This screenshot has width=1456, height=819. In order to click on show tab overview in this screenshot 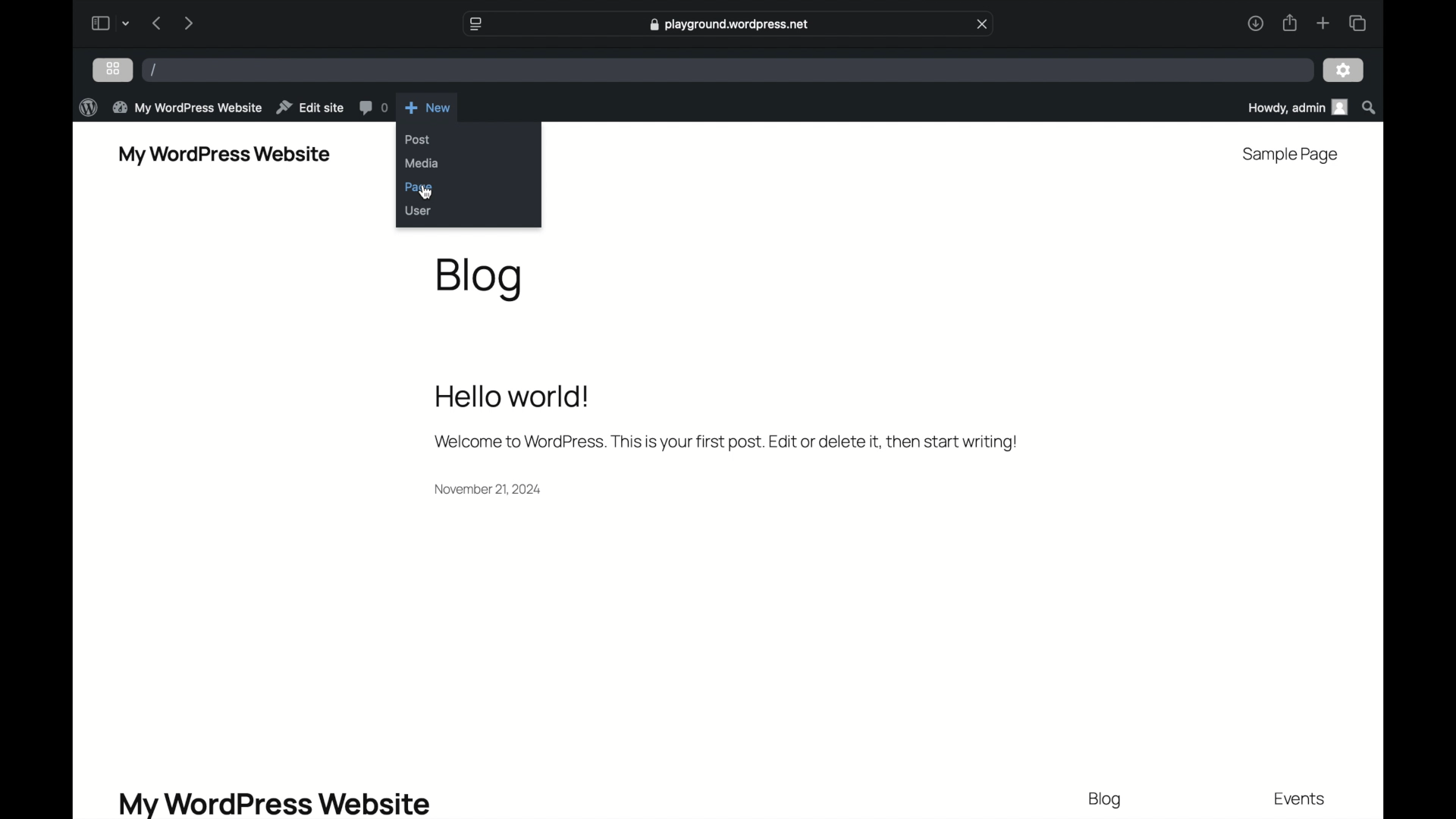, I will do `click(1359, 23)`.